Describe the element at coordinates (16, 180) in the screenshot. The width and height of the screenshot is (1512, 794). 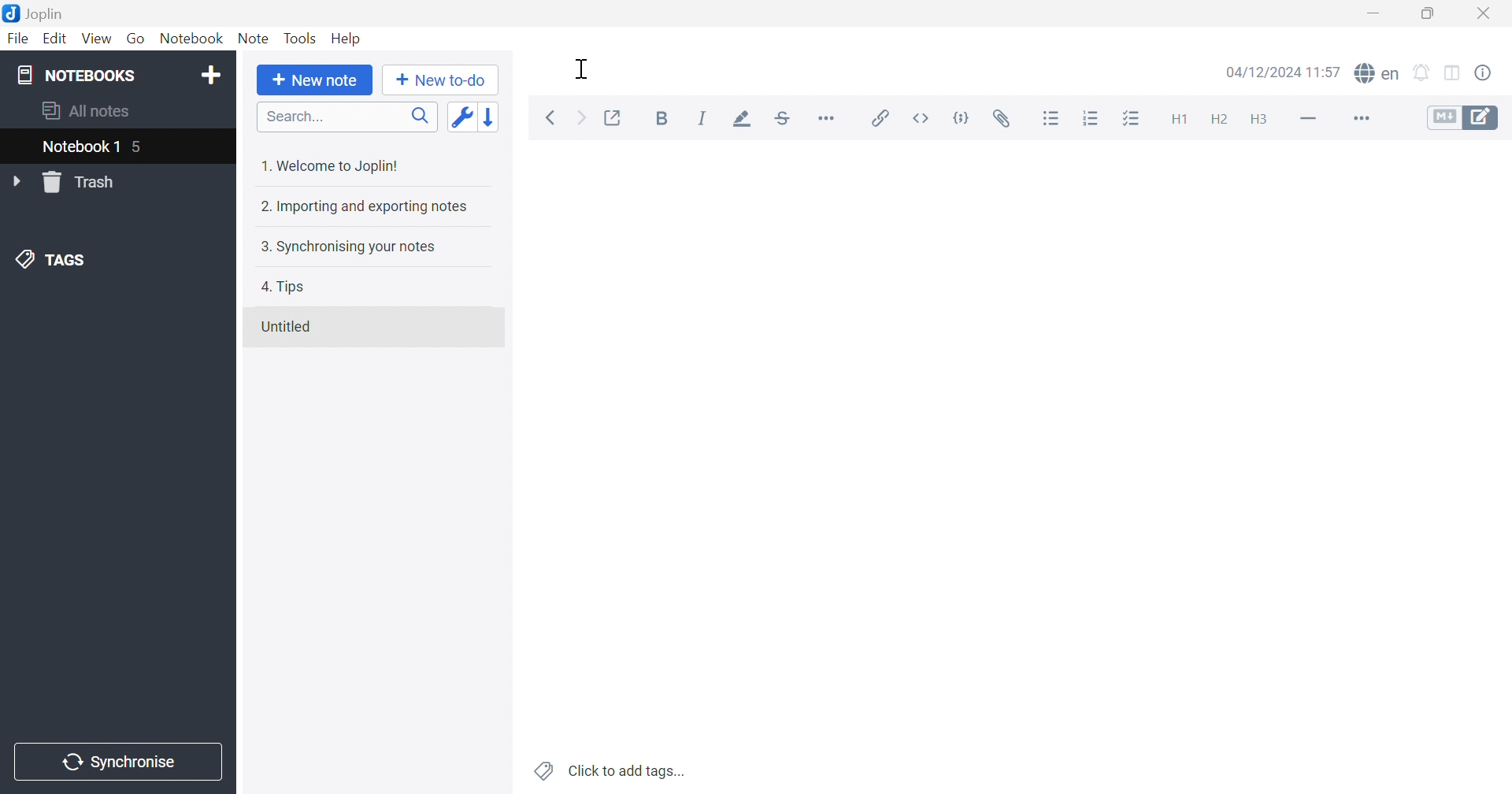
I see `Drop Down` at that location.